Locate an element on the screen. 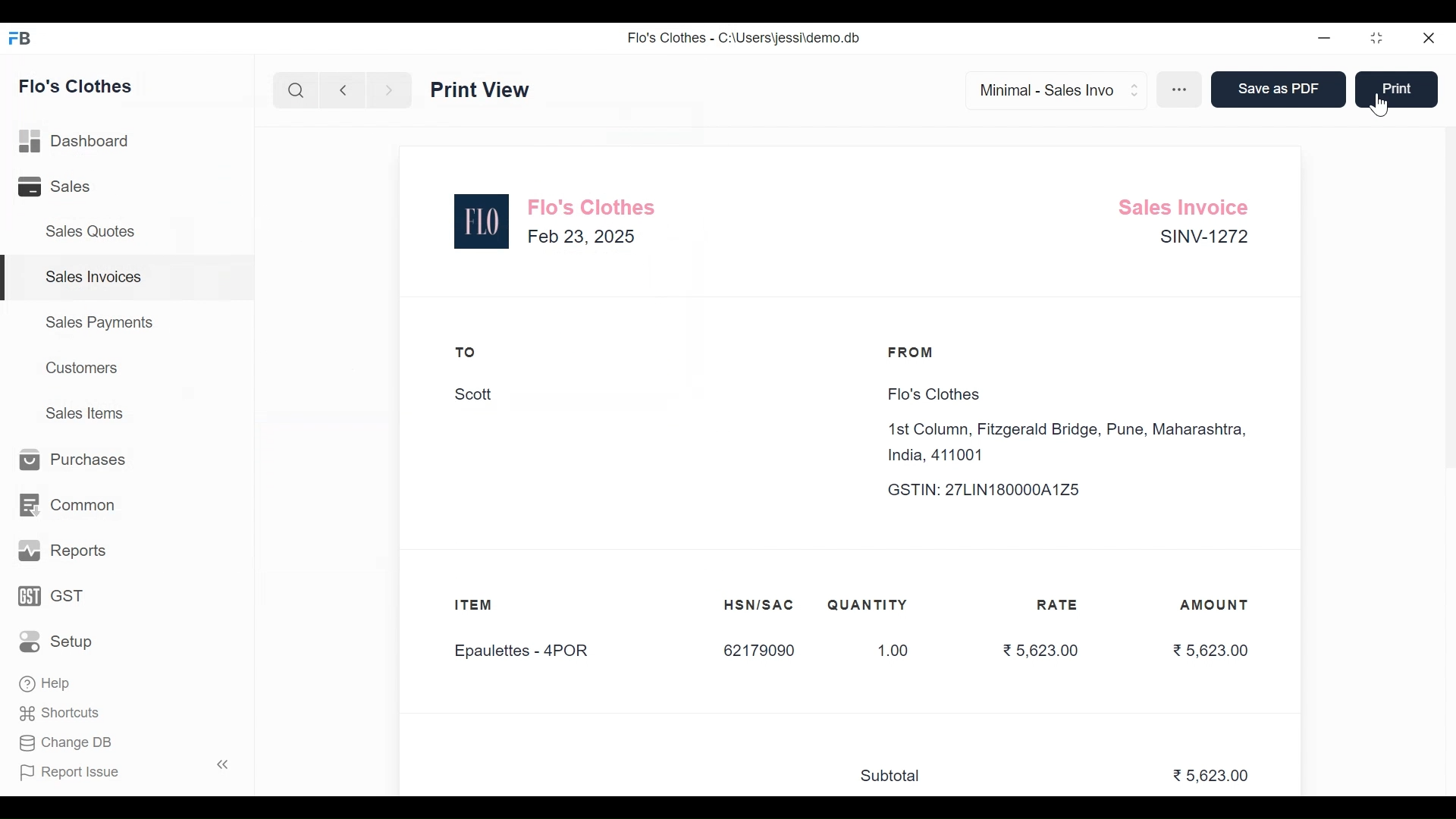 The height and width of the screenshot is (819, 1456). 1st Column, Fitzgerald Bridge, Pune, Maharashtra, India, 411001 is located at coordinates (1072, 443).